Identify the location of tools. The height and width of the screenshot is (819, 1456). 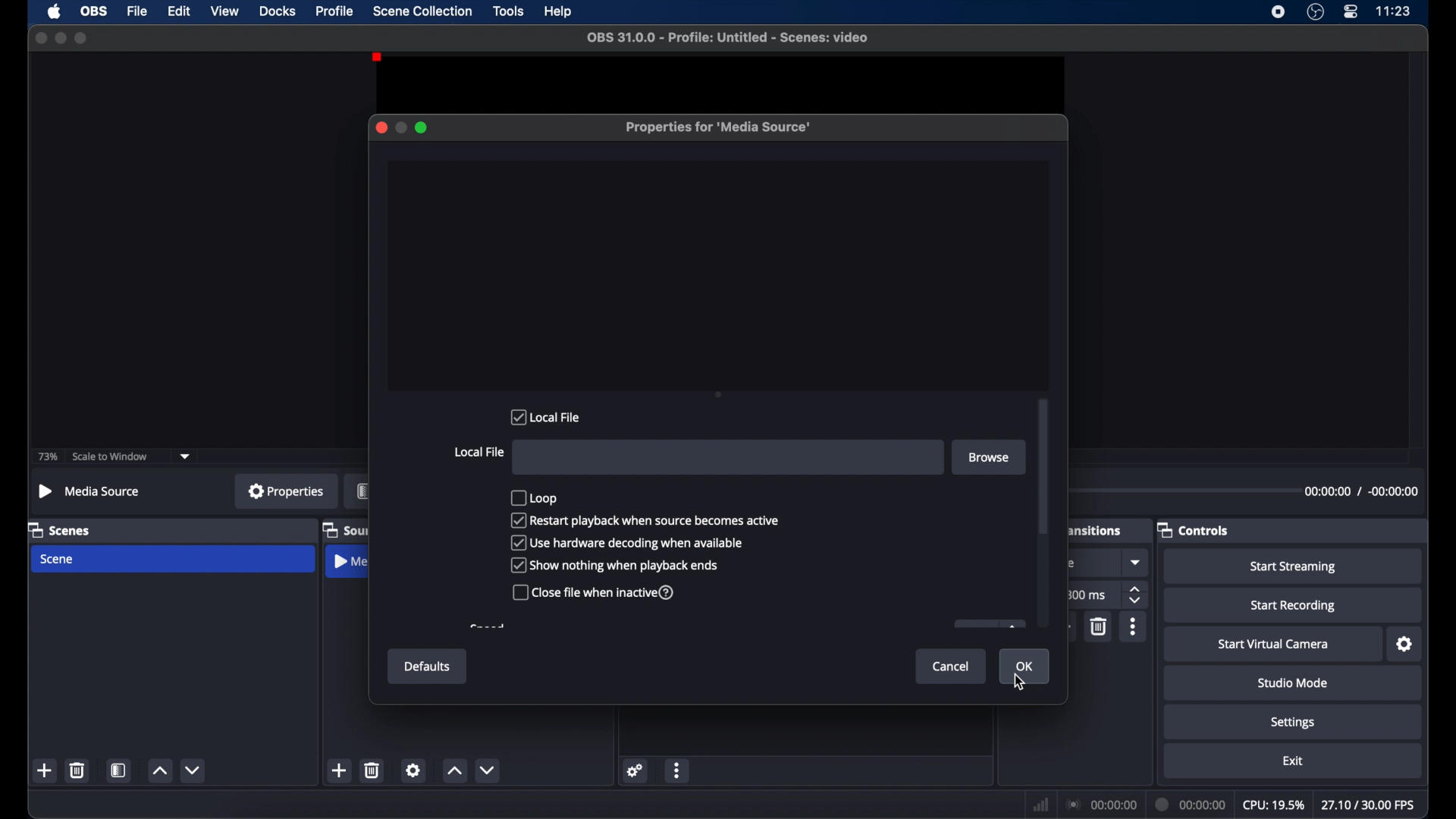
(508, 11).